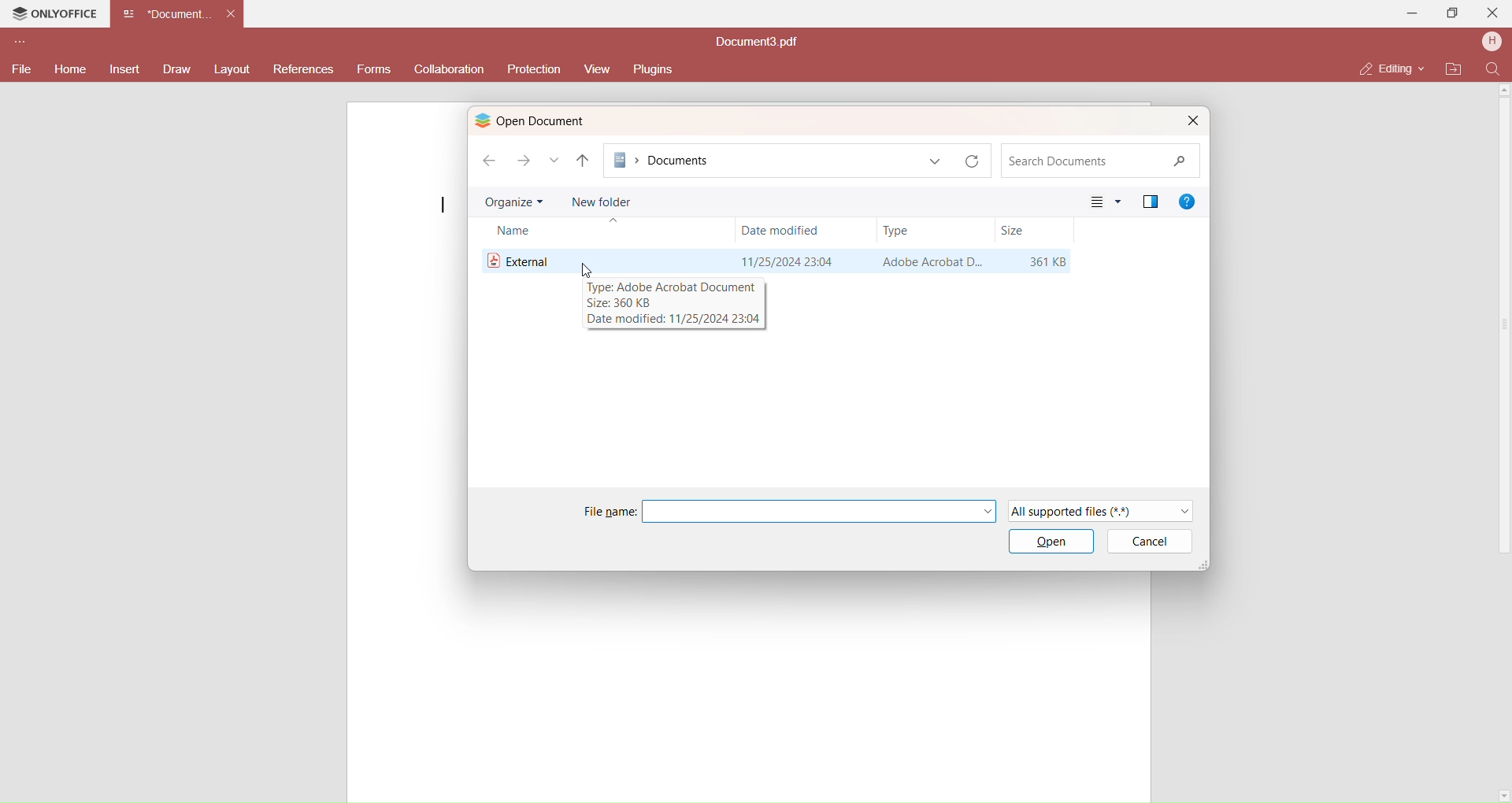 This screenshot has height=803, width=1512. What do you see at coordinates (822, 511) in the screenshot?
I see `Selected File Name` at bounding box center [822, 511].